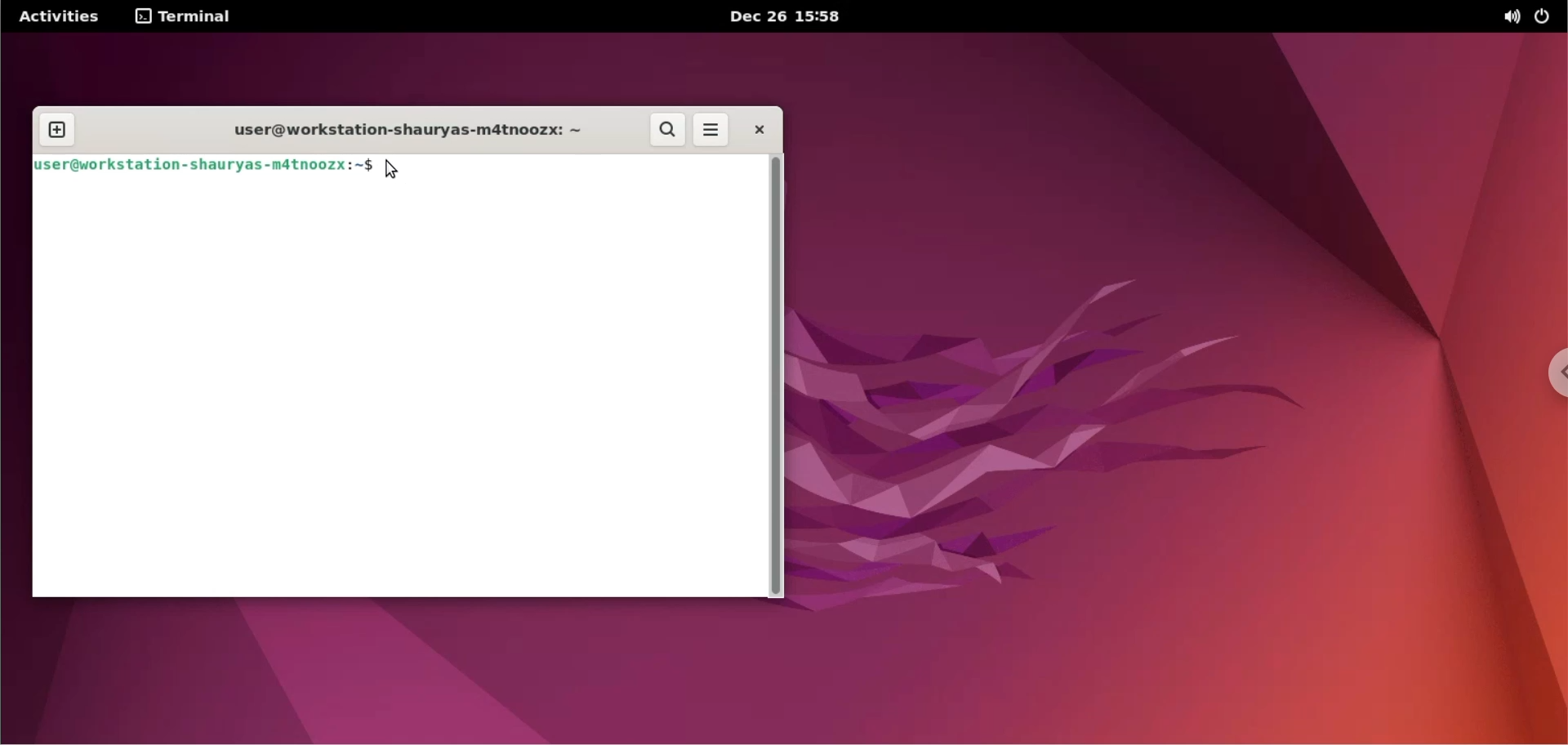  Describe the element at coordinates (713, 131) in the screenshot. I see `more options` at that location.